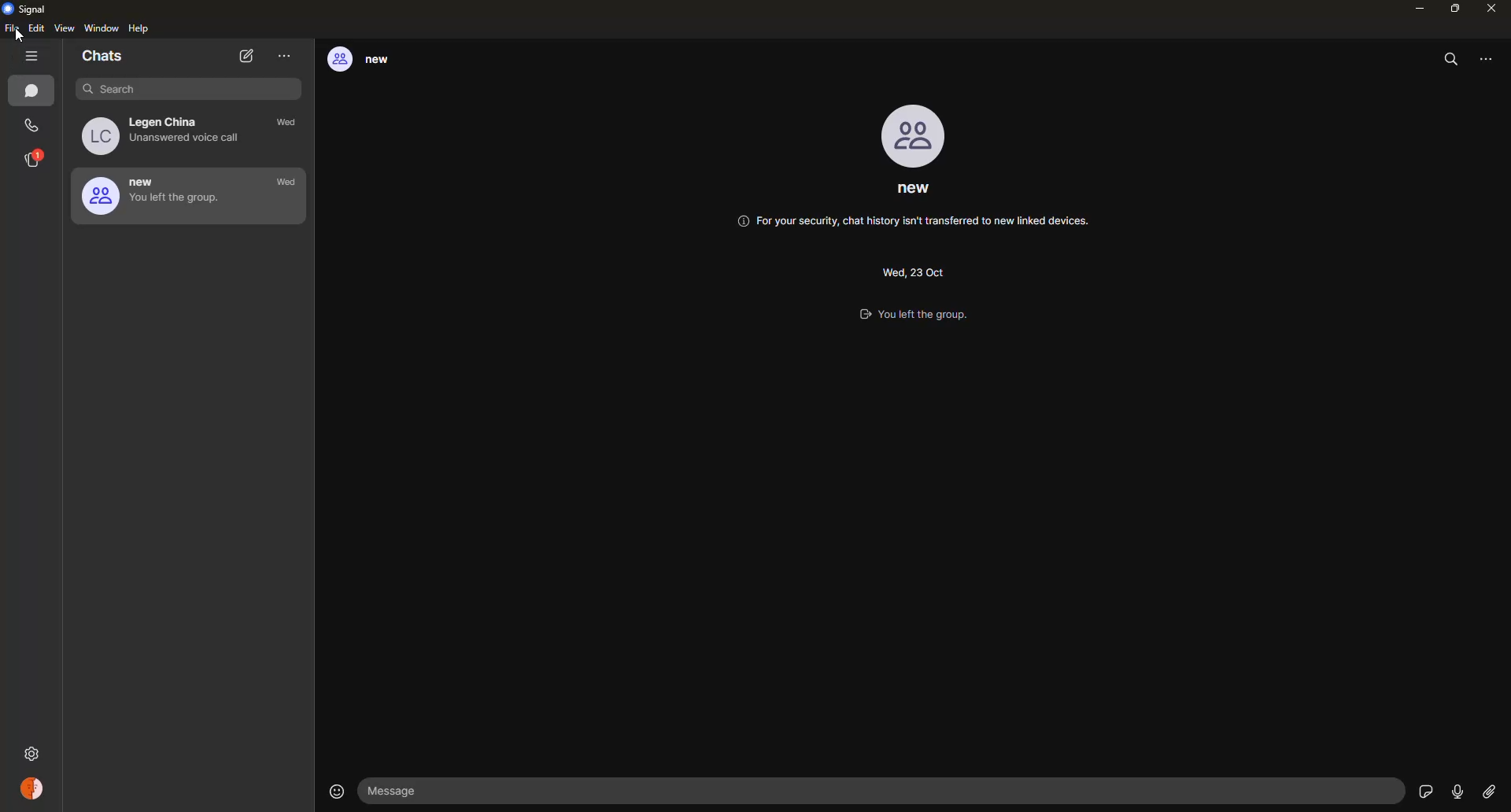 The width and height of the screenshot is (1511, 812). Describe the element at coordinates (402, 791) in the screenshot. I see `message` at that location.